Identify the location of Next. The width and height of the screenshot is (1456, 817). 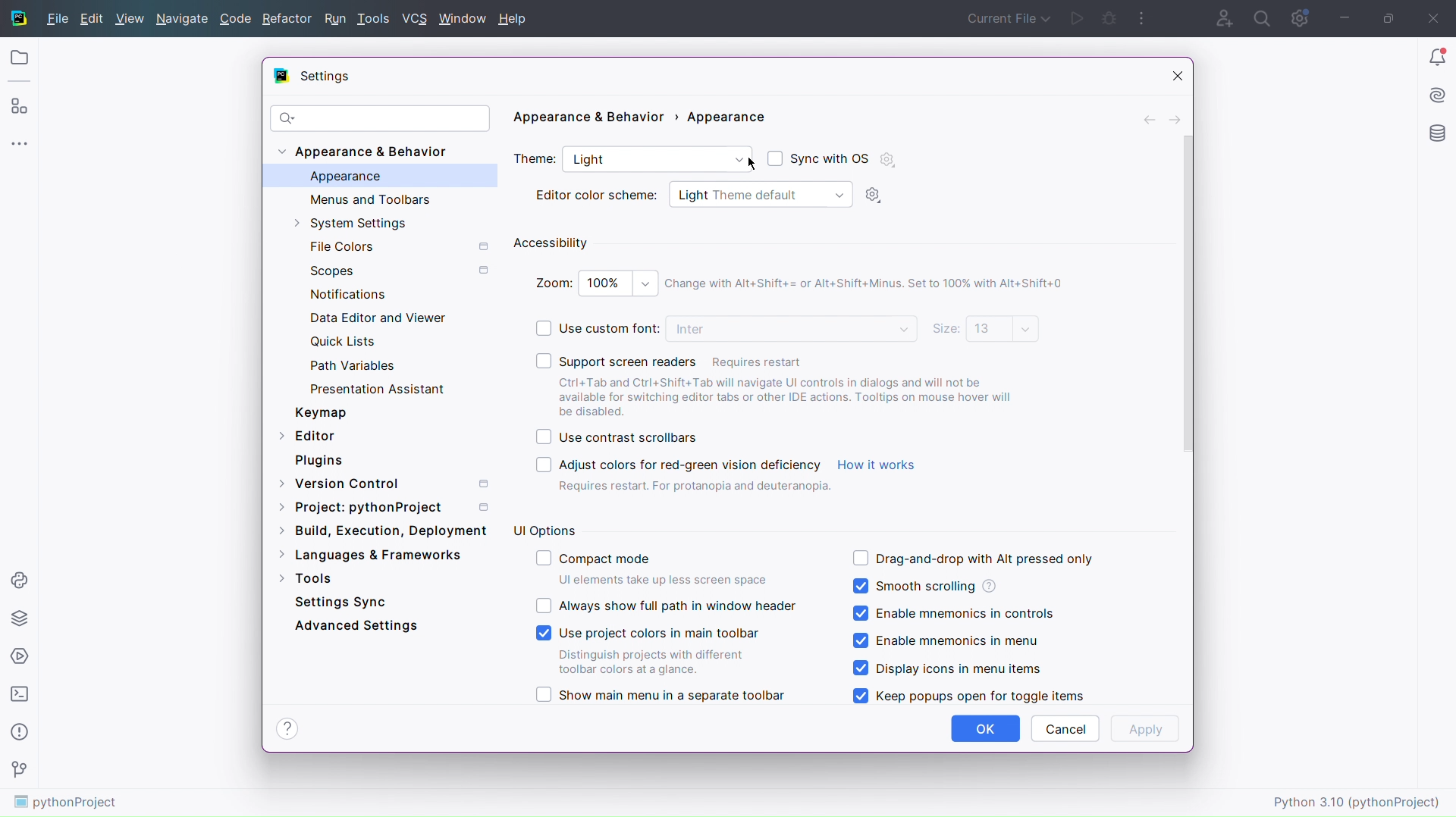
(1176, 118).